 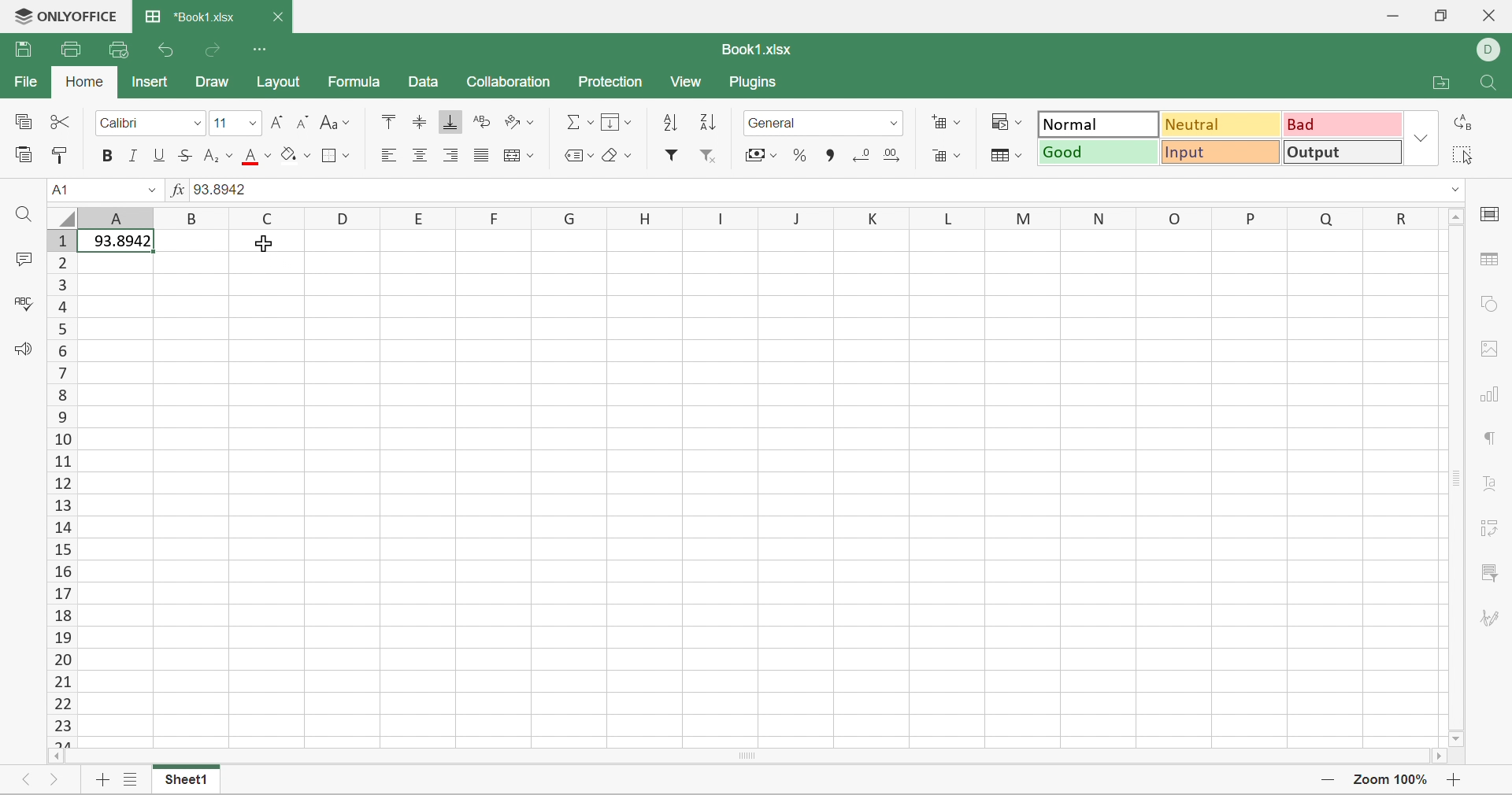 What do you see at coordinates (1489, 306) in the screenshot?
I see `shape settings` at bounding box center [1489, 306].